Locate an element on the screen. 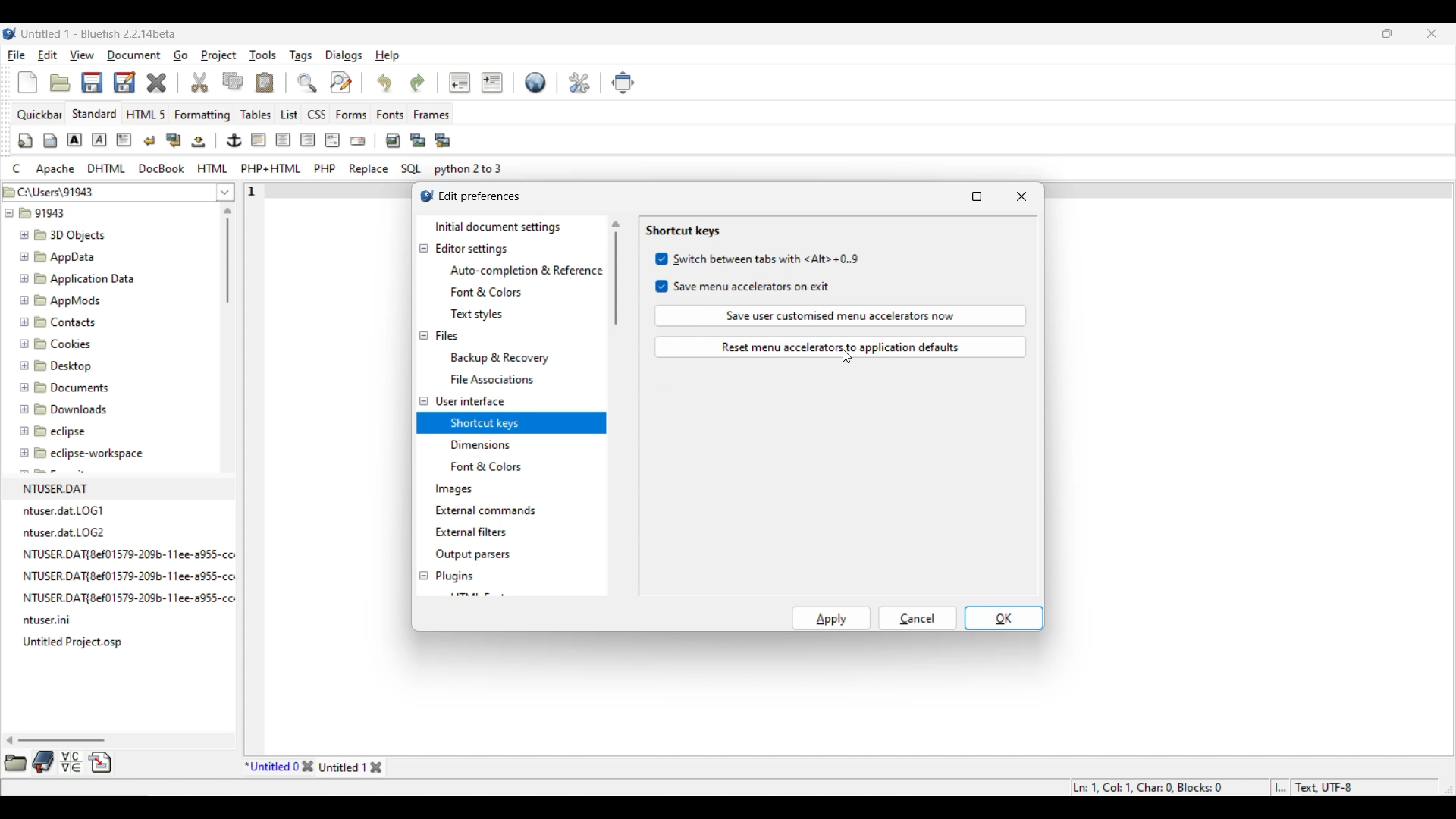  View menu is located at coordinates (82, 55).